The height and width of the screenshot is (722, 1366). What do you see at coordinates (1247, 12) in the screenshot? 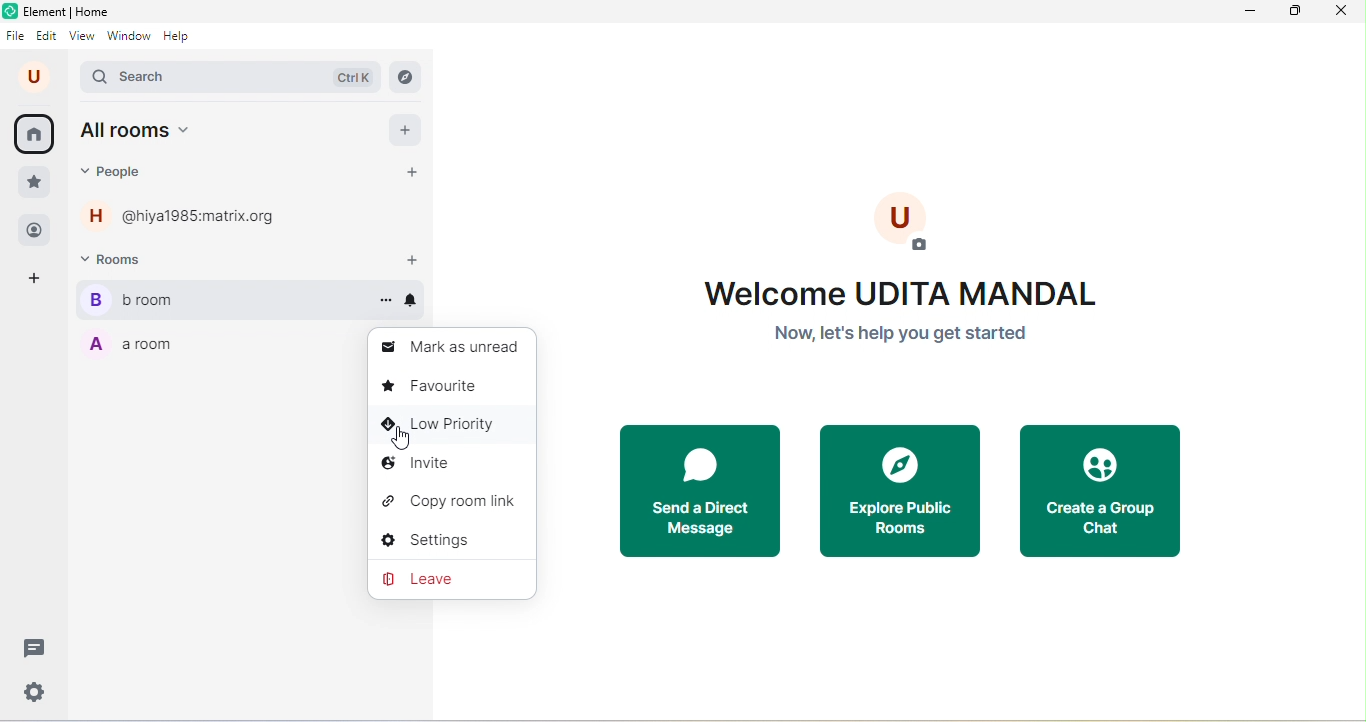
I see `minimize` at bounding box center [1247, 12].